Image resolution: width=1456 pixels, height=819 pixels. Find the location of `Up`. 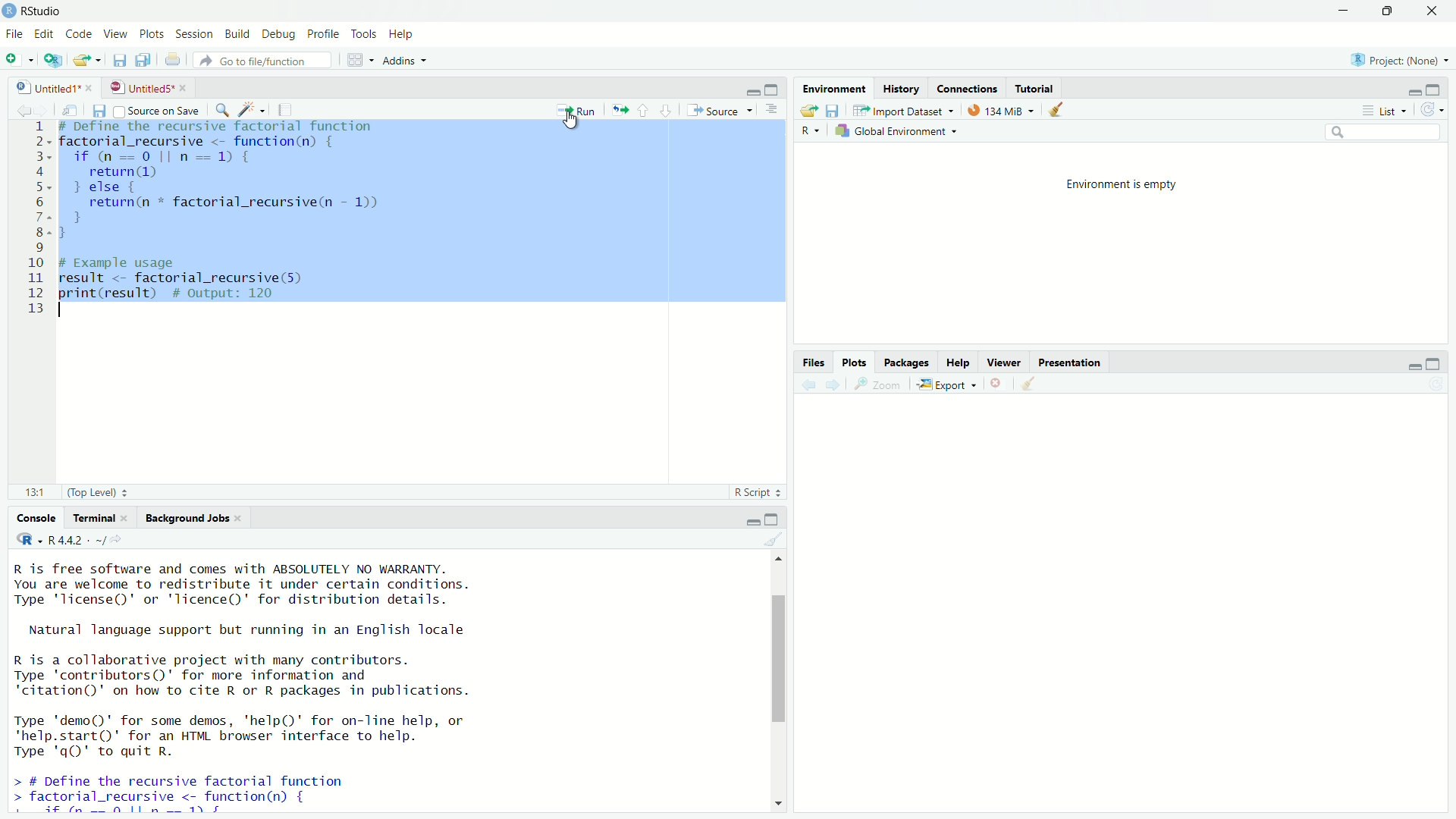

Up is located at coordinates (783, 558).